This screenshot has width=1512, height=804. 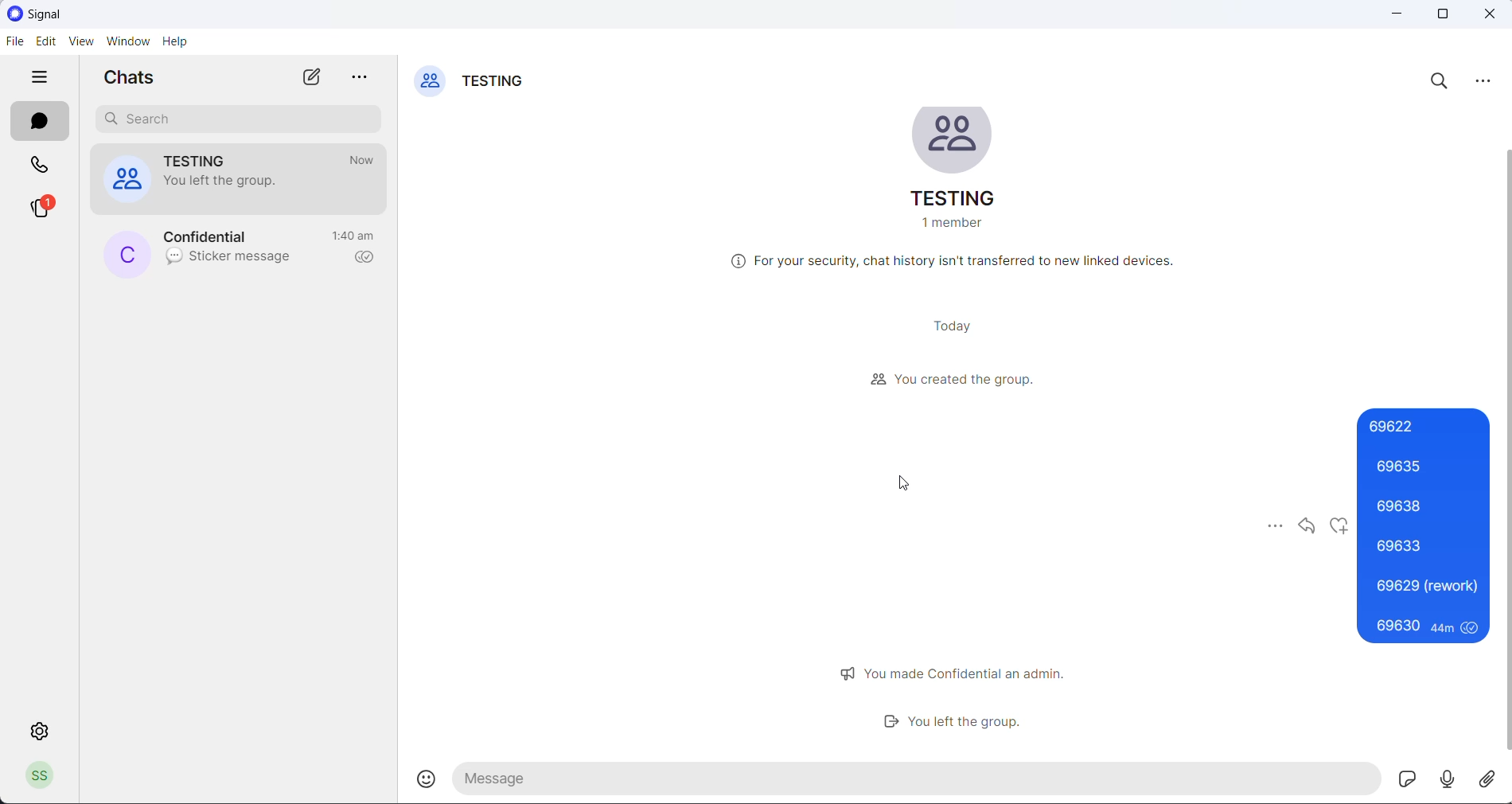 What do you see at coordinates (1428, 529) in the screenshot?
I see `69622 69635 69638 69633 69629 (rework)69630 43m seen` at bounding box center [1428, 529].